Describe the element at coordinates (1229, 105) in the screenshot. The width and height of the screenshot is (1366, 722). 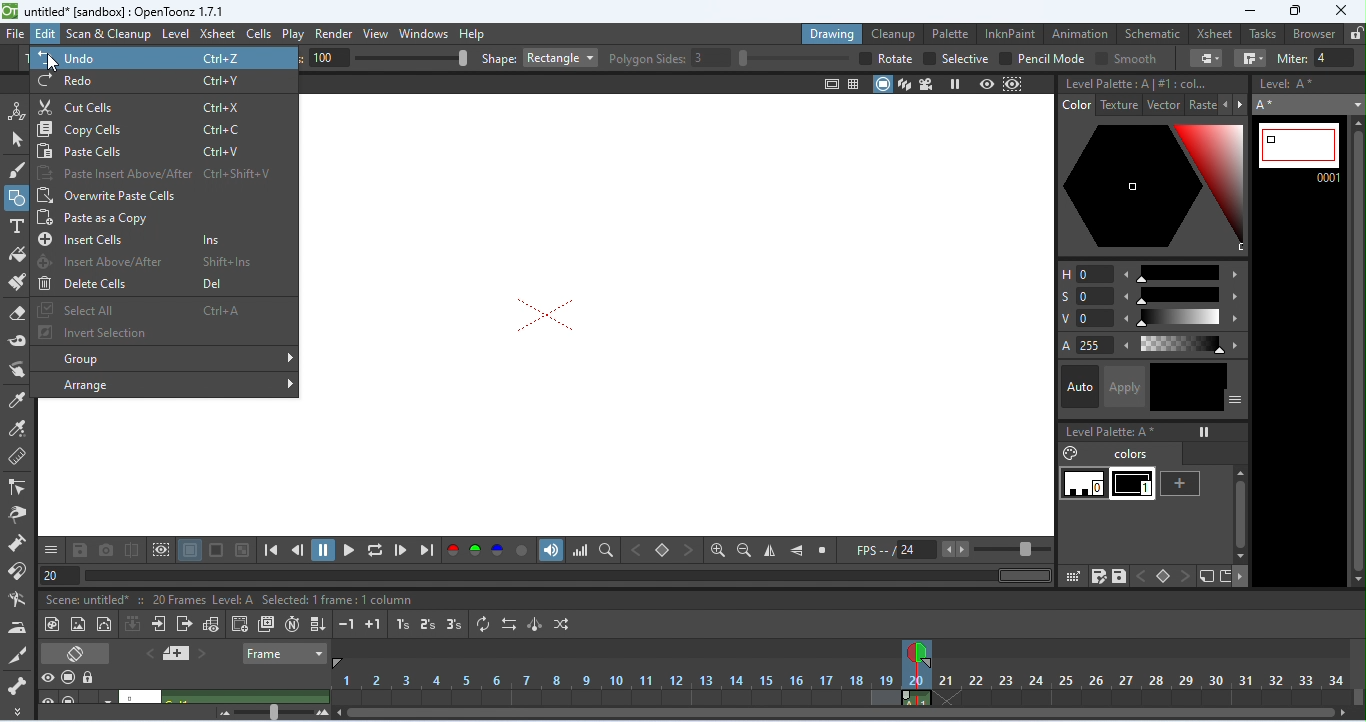
I see `previous` at that location.